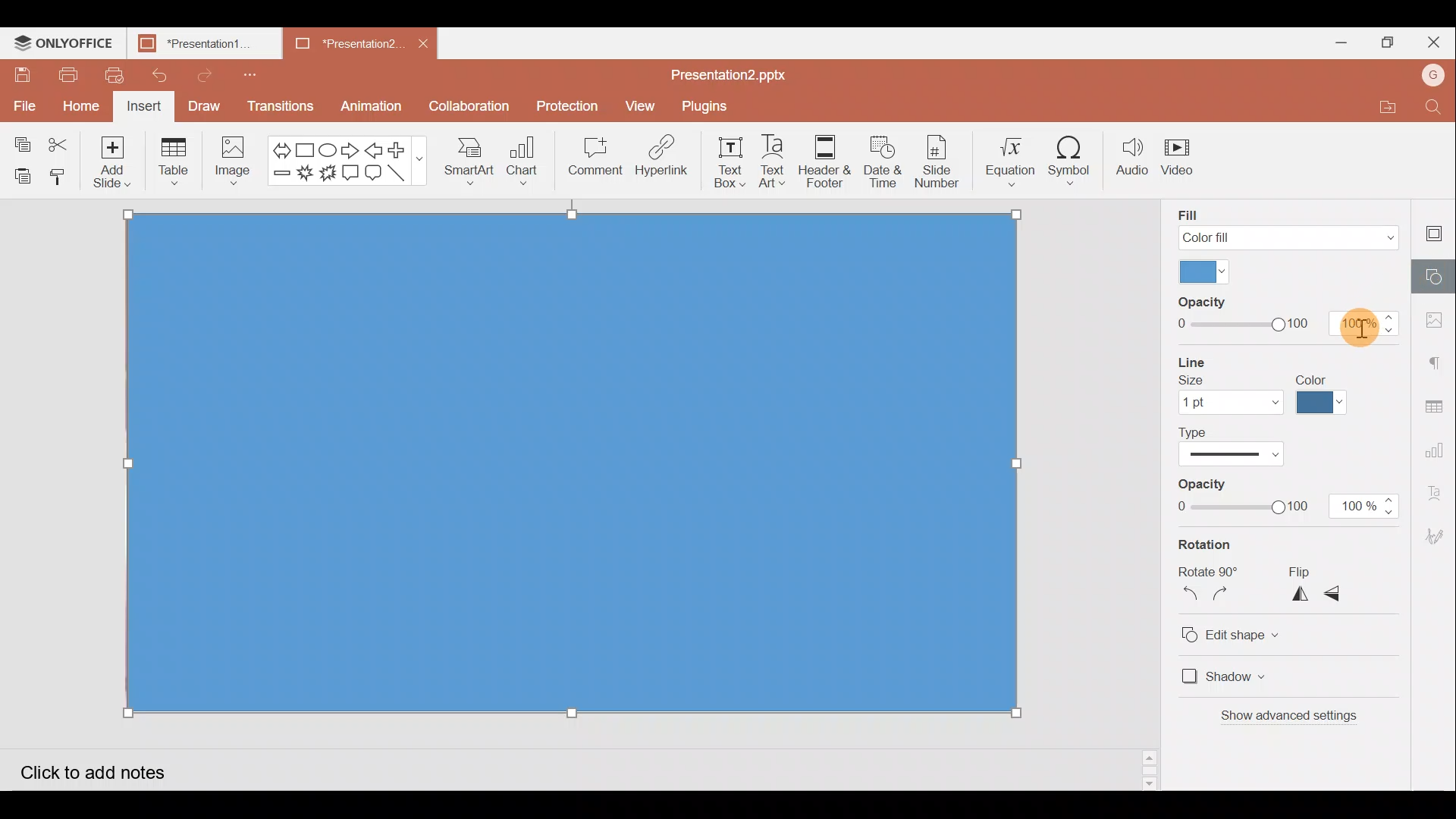  Describe the element at coordinates (281, 146) in the screenshot. I see `Left right arrow` at that location.